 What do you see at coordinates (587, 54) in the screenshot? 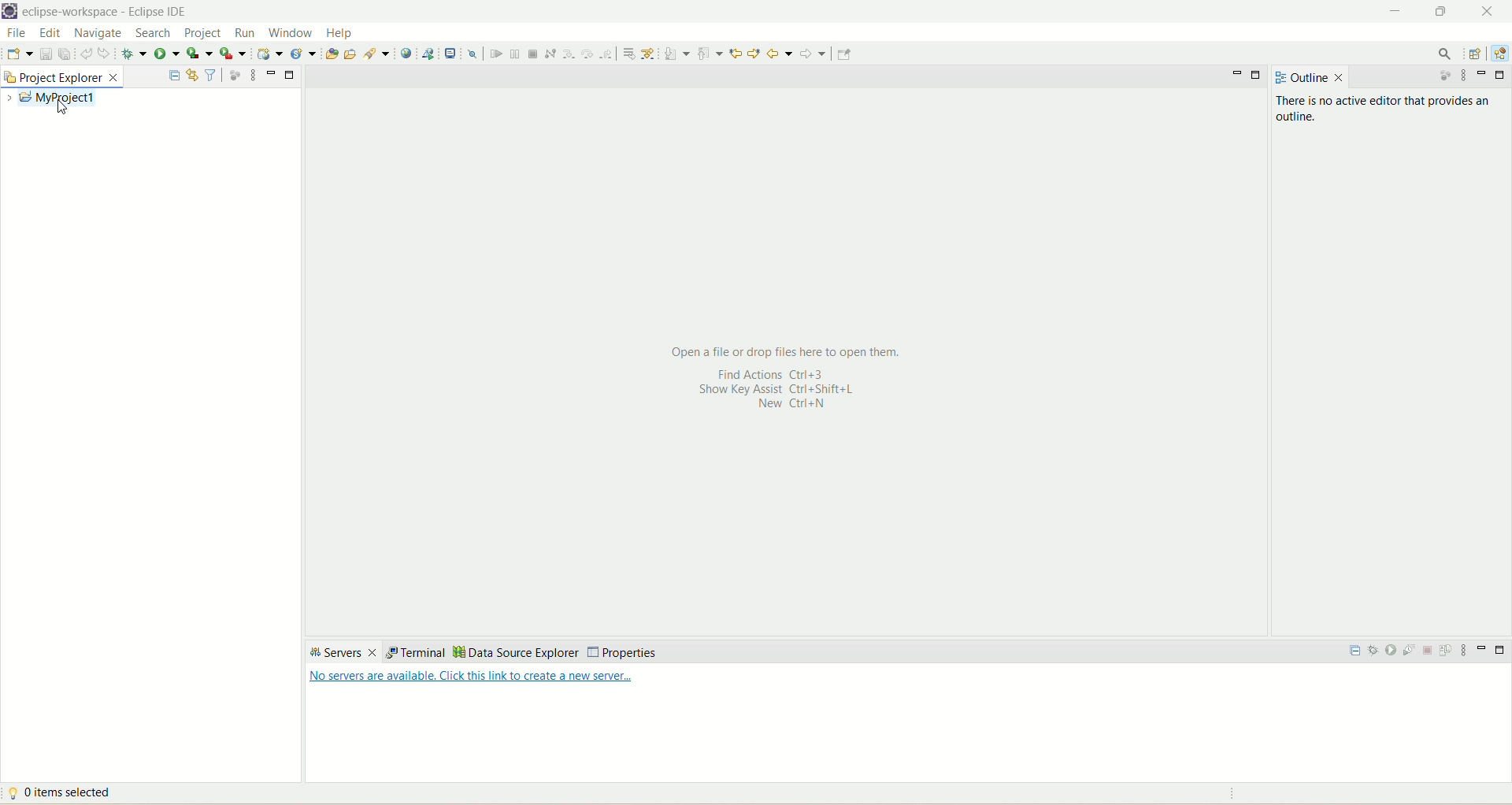
I see `step over` at bounding box center [587, 54].